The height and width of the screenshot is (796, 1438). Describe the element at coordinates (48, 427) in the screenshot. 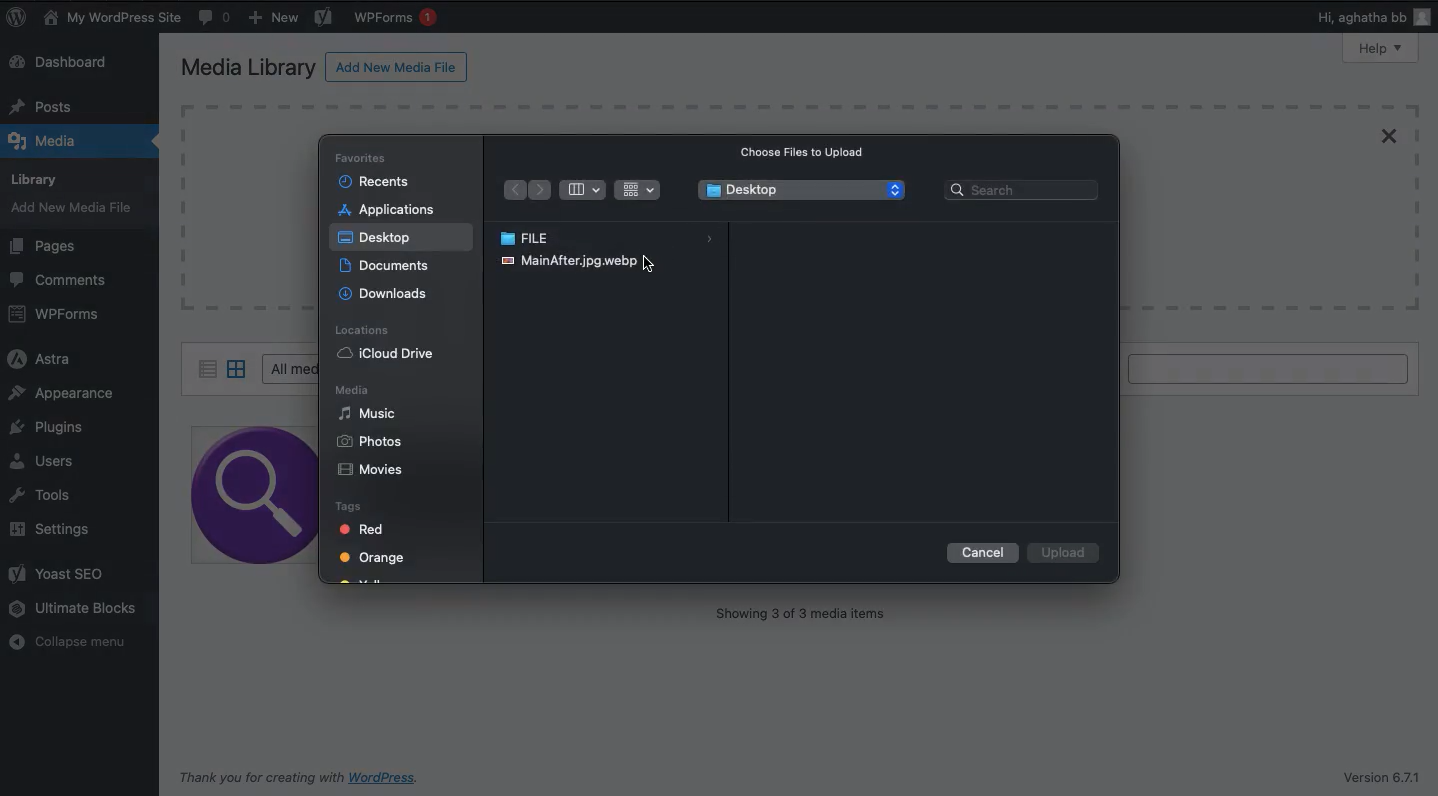

I see `Plugins` at that location.